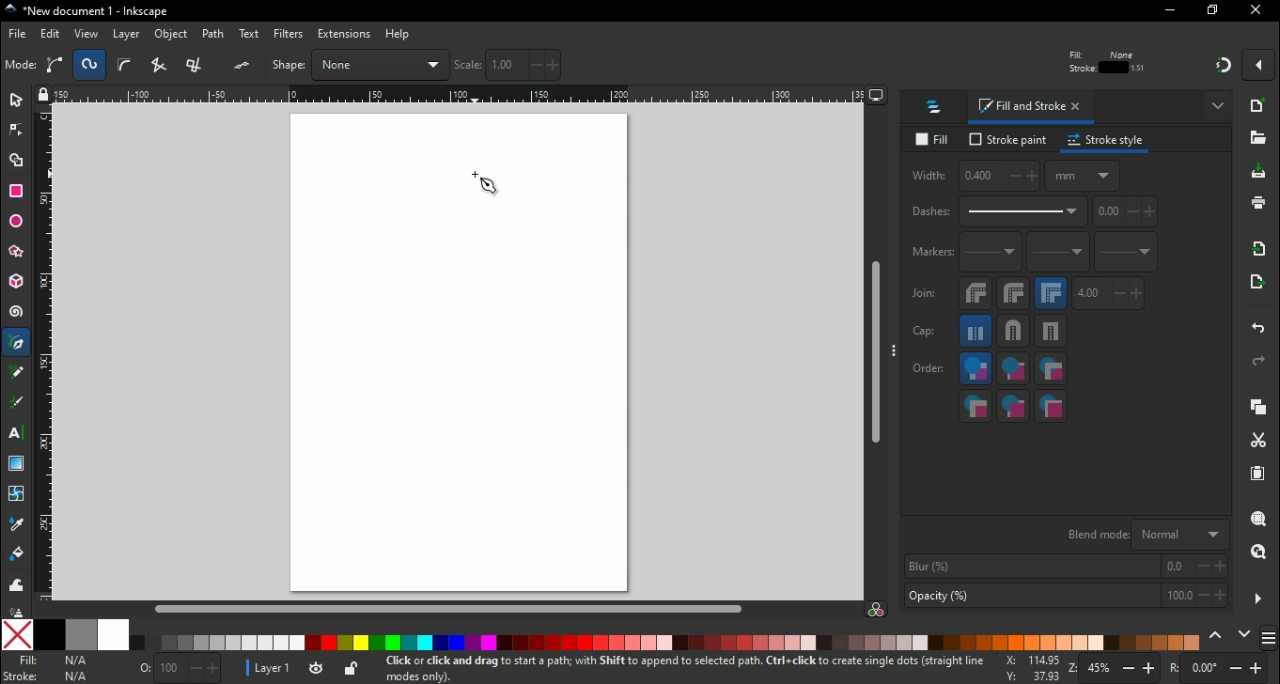 Image resolution: width=1280 pixels, height=684 pixels. I want to click on pencil tool, so click(17, 379).